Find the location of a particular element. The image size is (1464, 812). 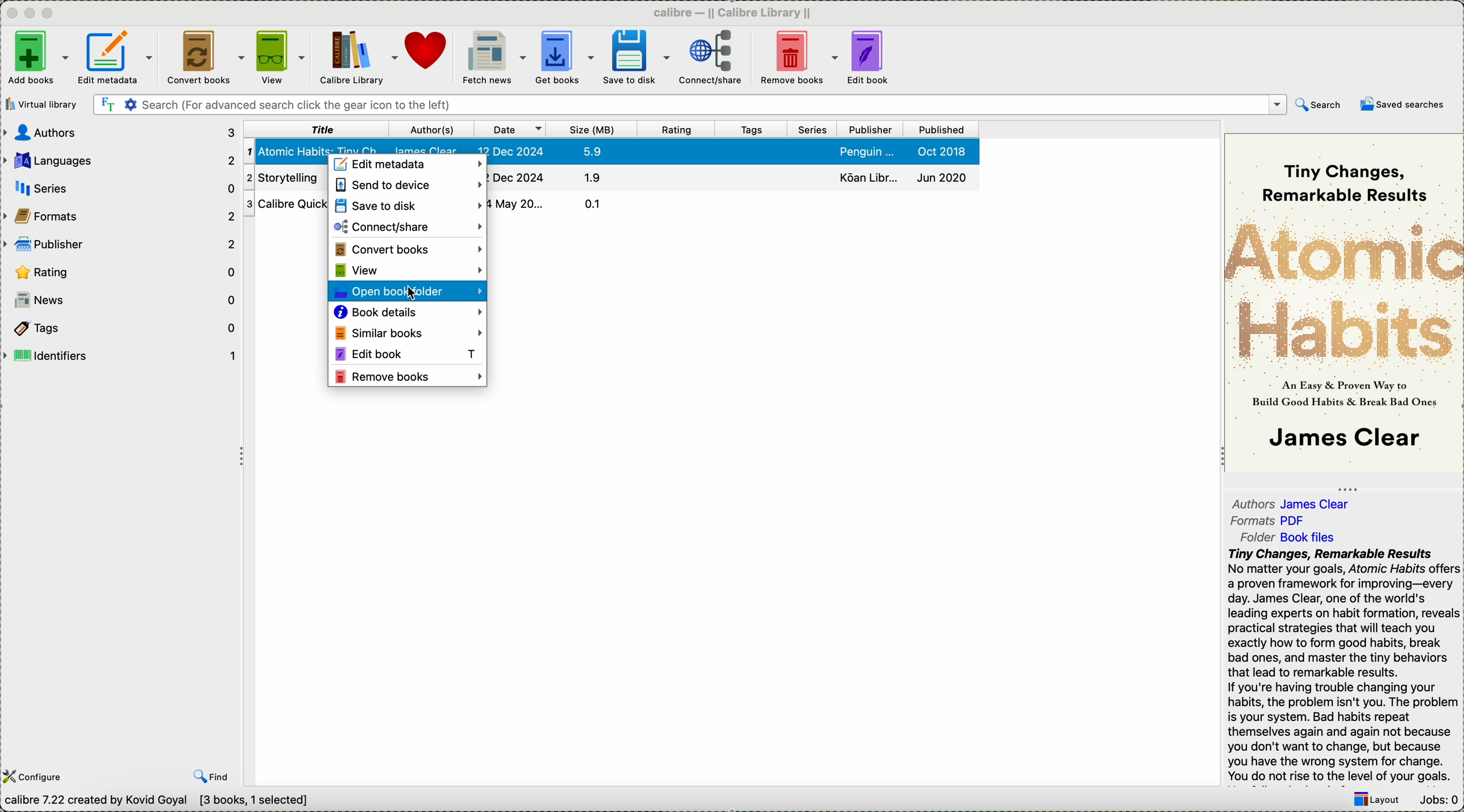

size is located at coordinates (593, 130).